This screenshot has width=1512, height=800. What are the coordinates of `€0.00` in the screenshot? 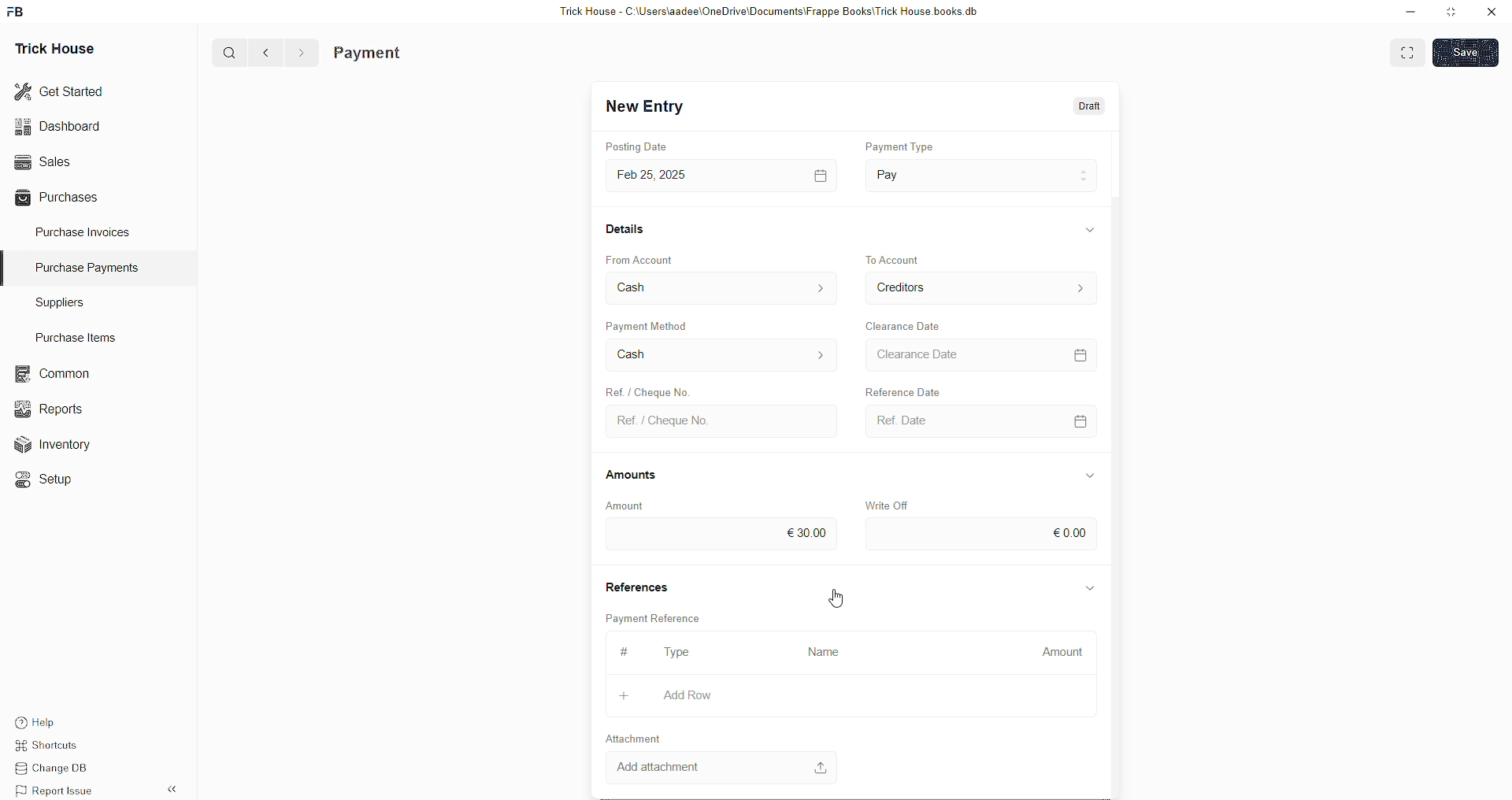 It's located at (1063, 529).